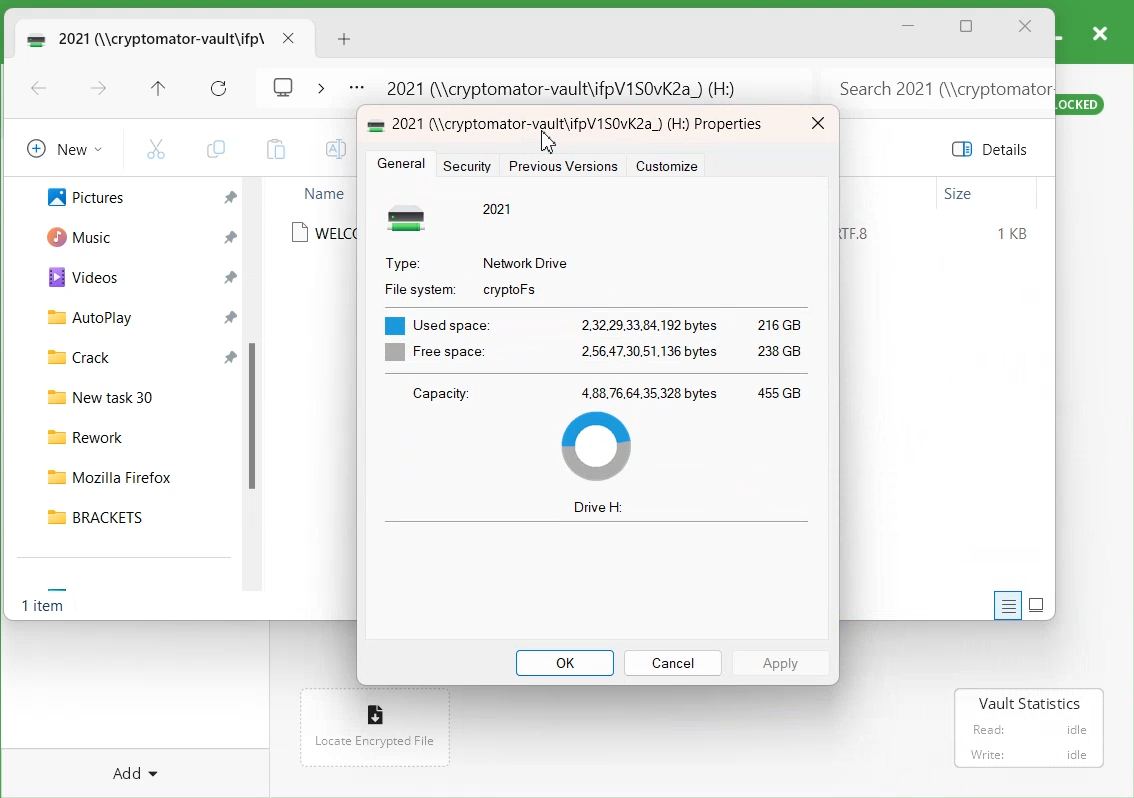 The image size is (1134, 798). What do you see at coordinates (568, 84) in the screenshot?
I see `Path Address` at bounding box center [568, 84].